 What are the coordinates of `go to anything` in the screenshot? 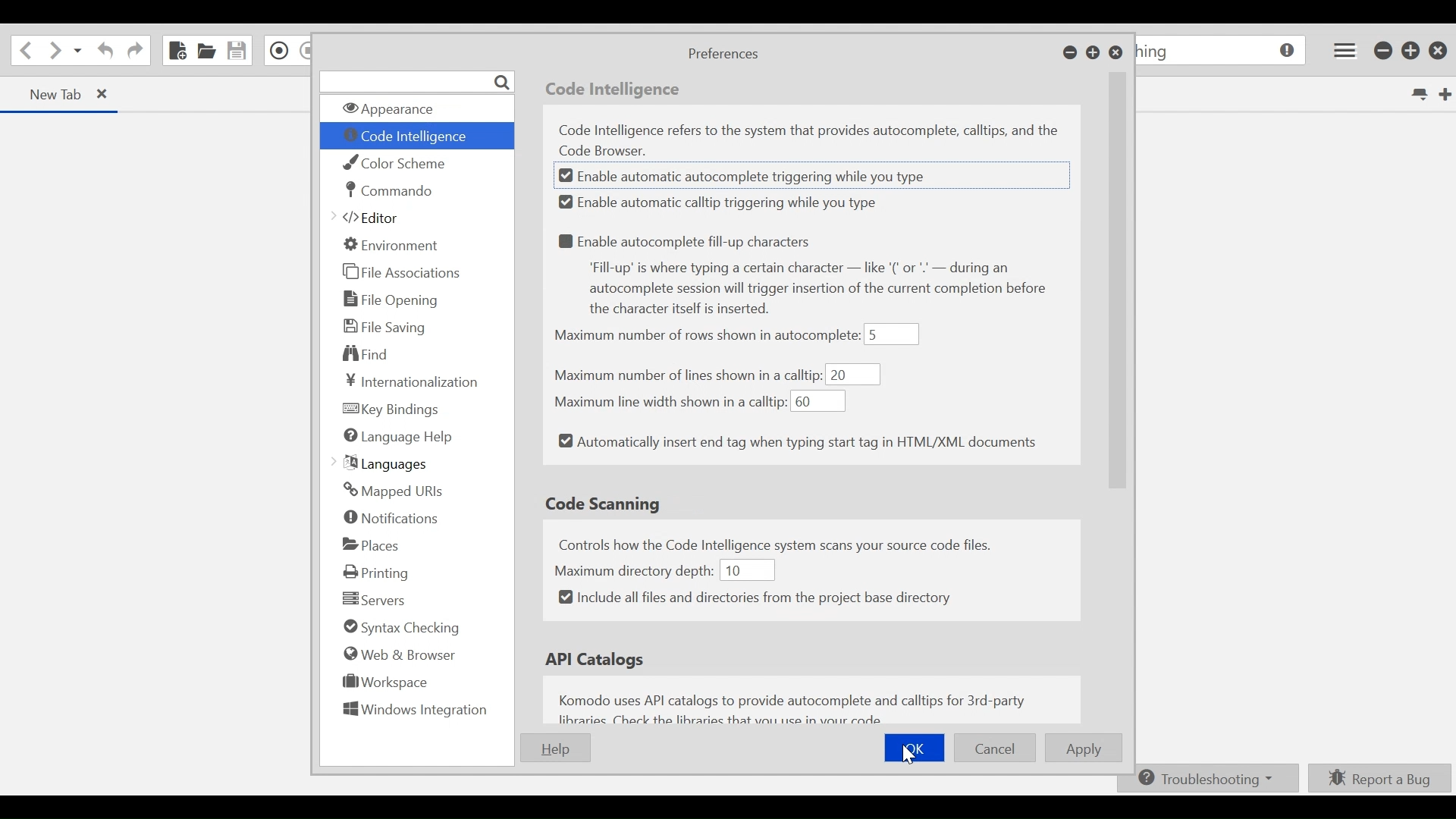 It's located at (1222, 52).